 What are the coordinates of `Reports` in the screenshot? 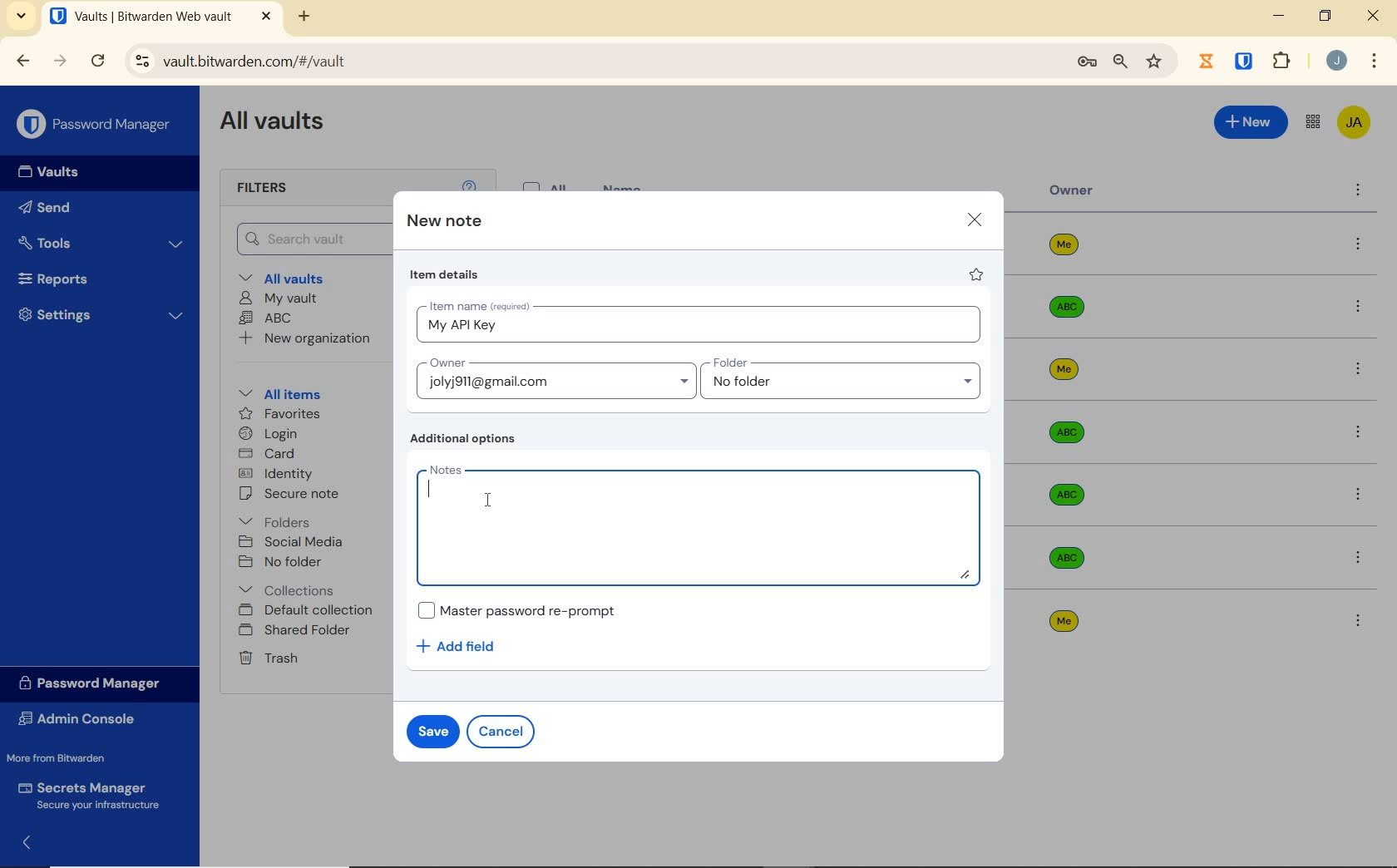 It's located at (95, 280).